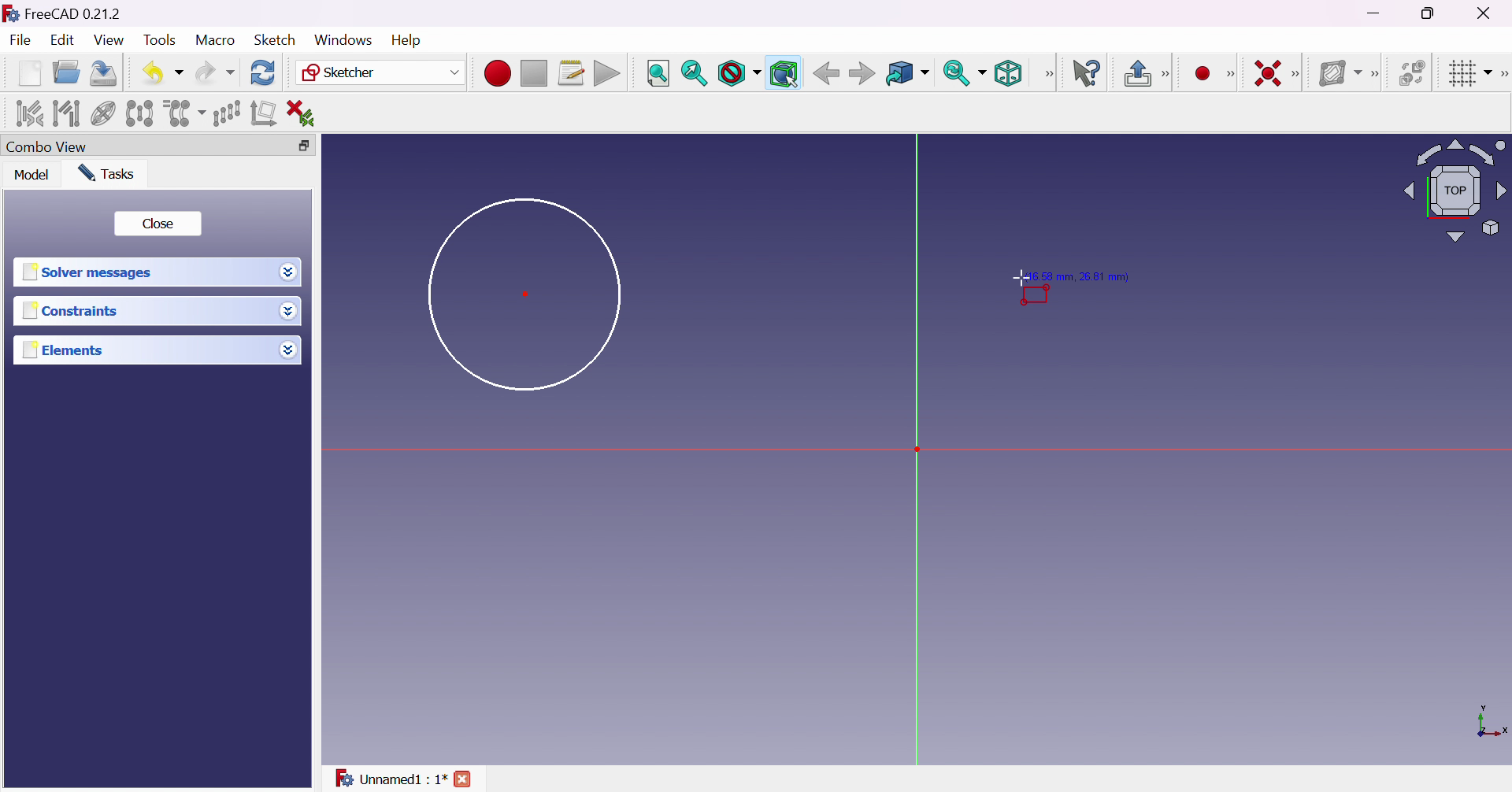 The image size is (1512, 792). Describe the element at coordinates (1340, 72) in the screenshot. I see `Show/hide B-spline information layer` at that location.